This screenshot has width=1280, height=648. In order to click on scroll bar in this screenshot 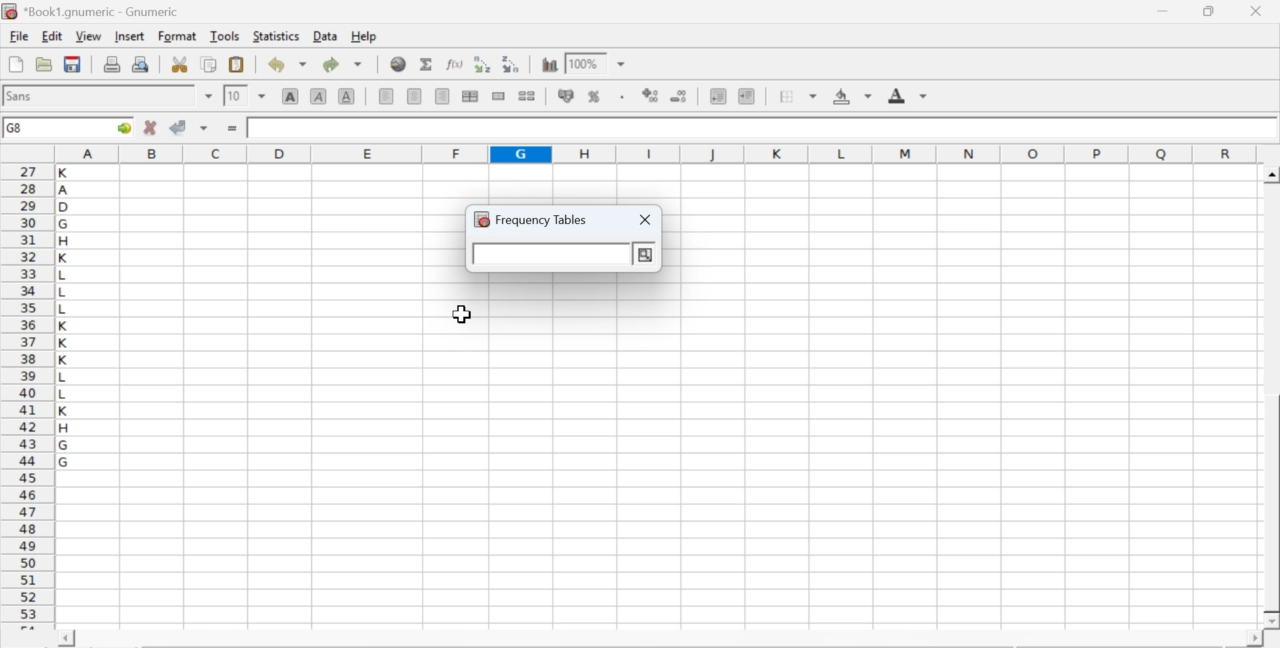, I will do `click(1272, 398)`.